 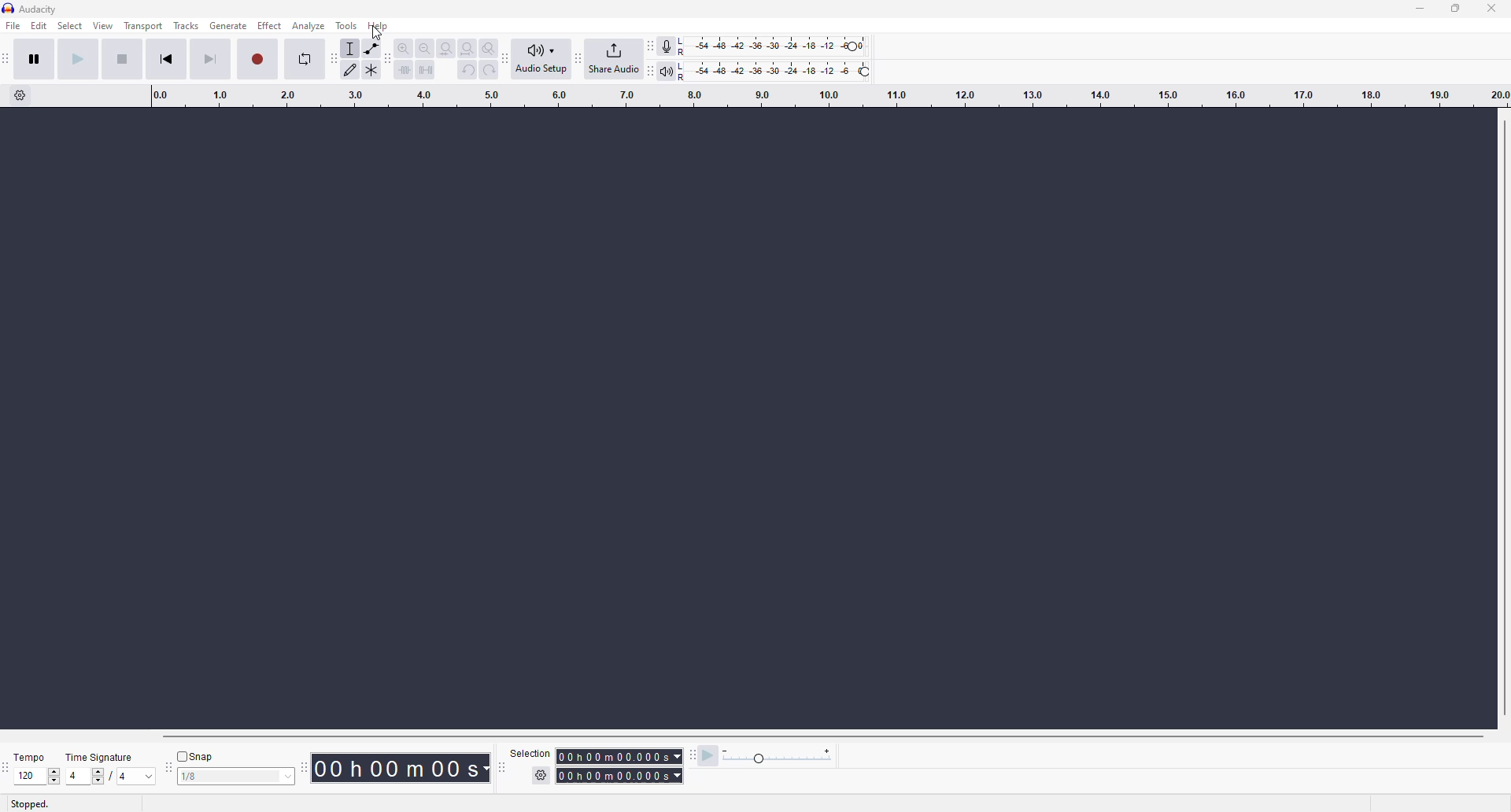 What do you see at coordinates (352, 69) in the screenshot?
I see `draw tool` at bounding box center [352, 69].